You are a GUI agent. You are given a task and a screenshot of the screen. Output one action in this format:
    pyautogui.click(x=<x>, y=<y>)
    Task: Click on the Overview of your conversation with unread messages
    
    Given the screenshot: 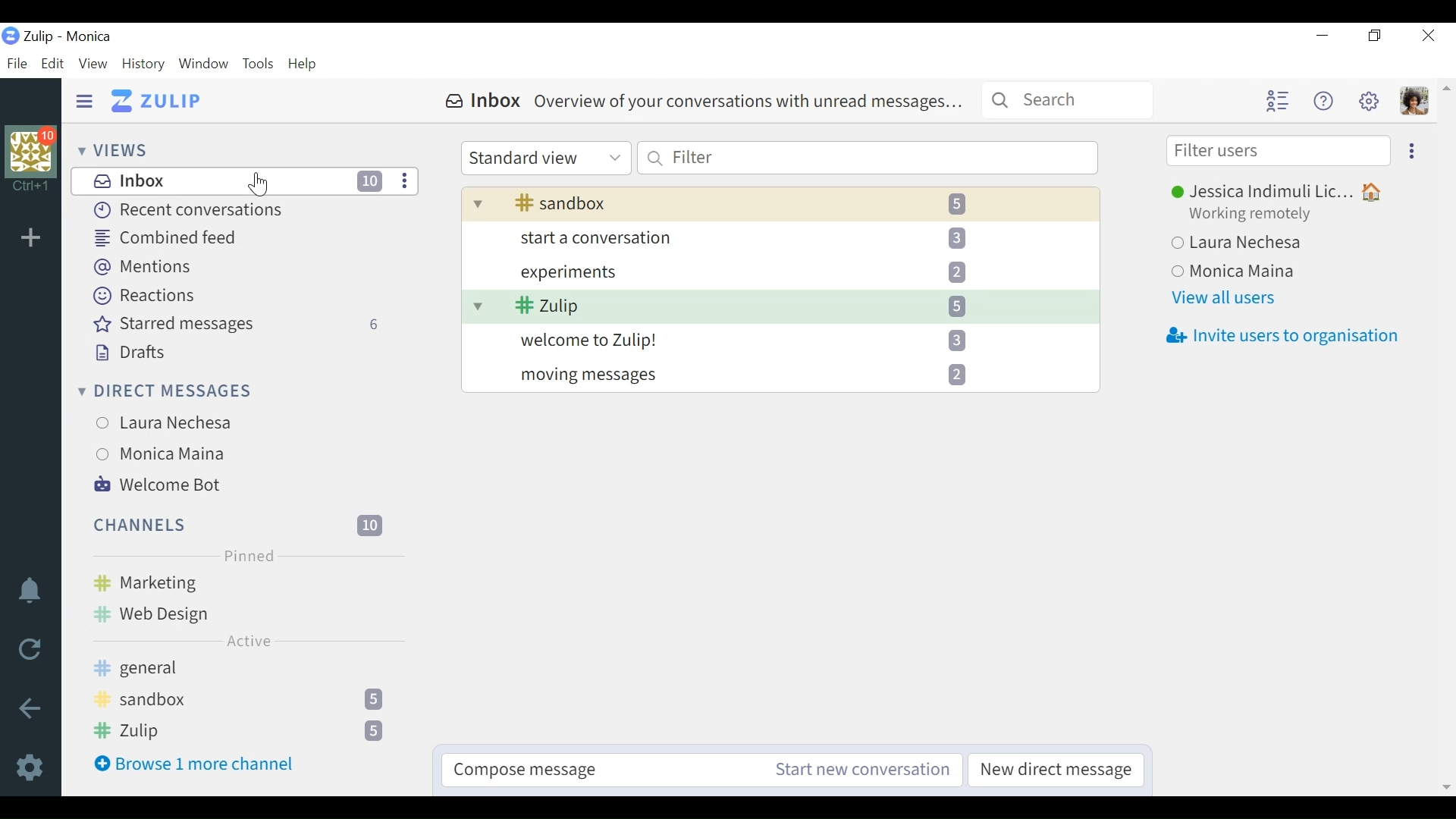 What is the action you would take?
    pyautogui.click(x=780, y=236)
    